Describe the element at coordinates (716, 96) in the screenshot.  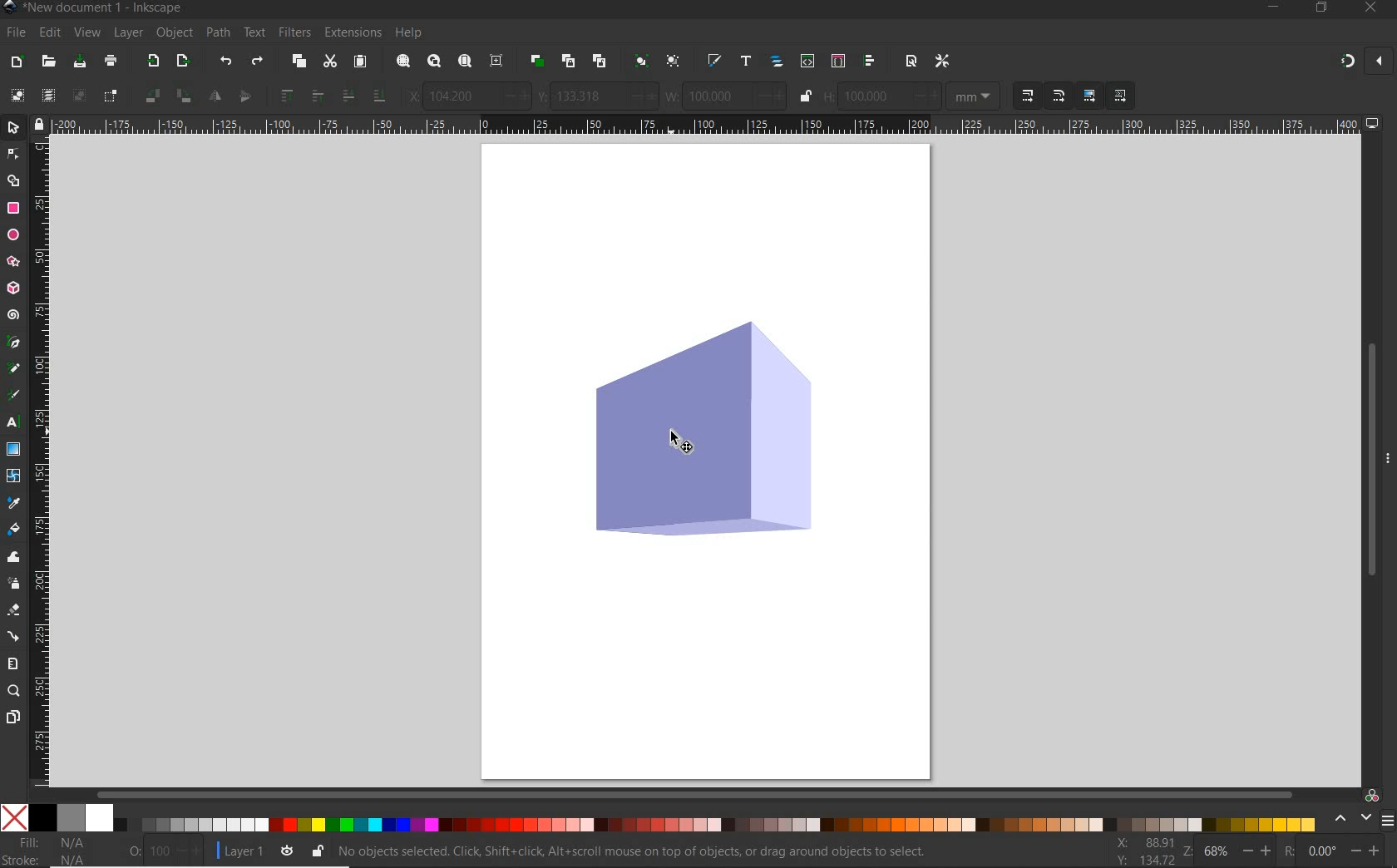
I see `100` at that location.